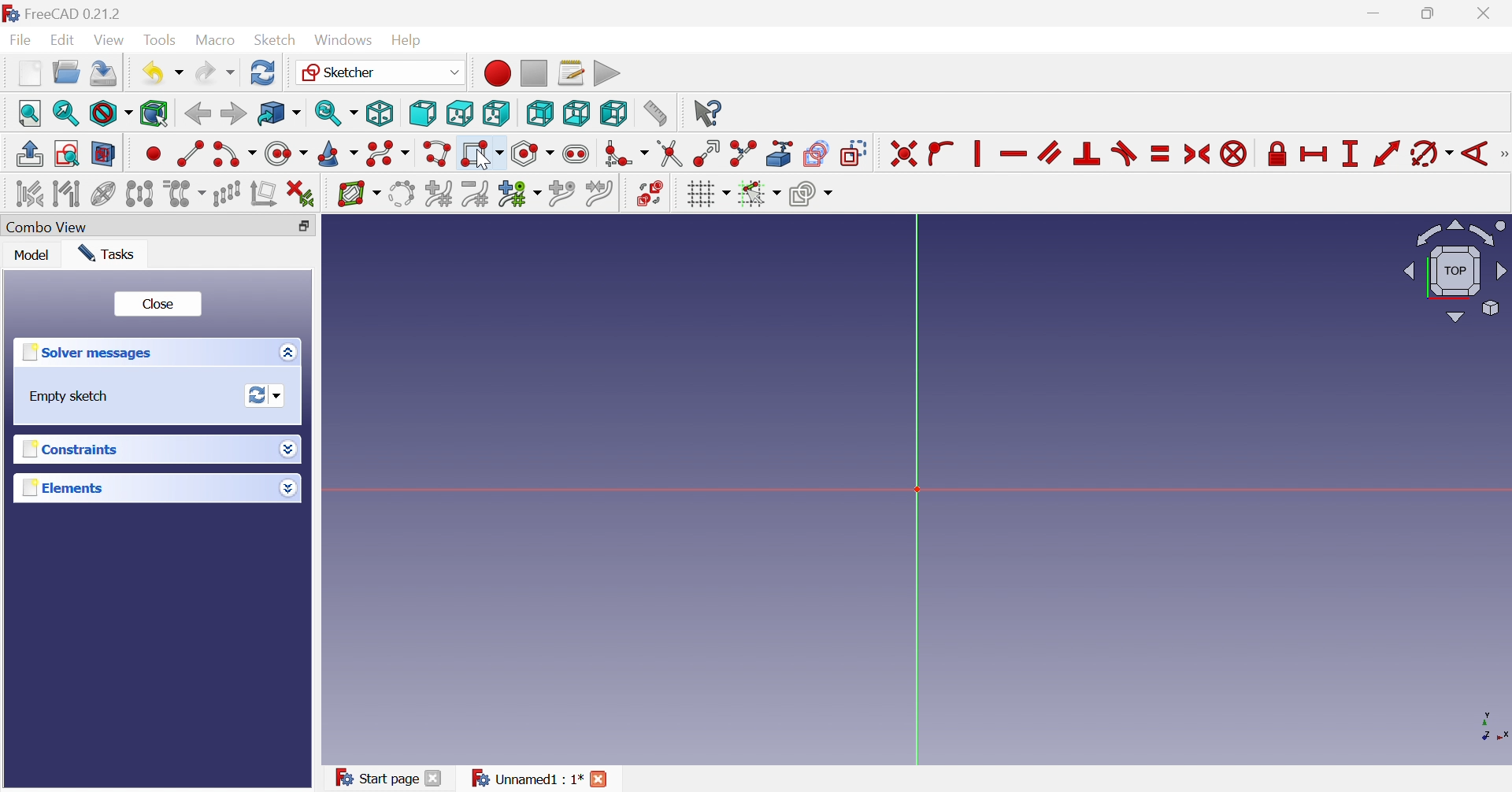 This screenshot has width=1512, height=792. I want to click on Forces recomputation of active document, so click(265, 396).